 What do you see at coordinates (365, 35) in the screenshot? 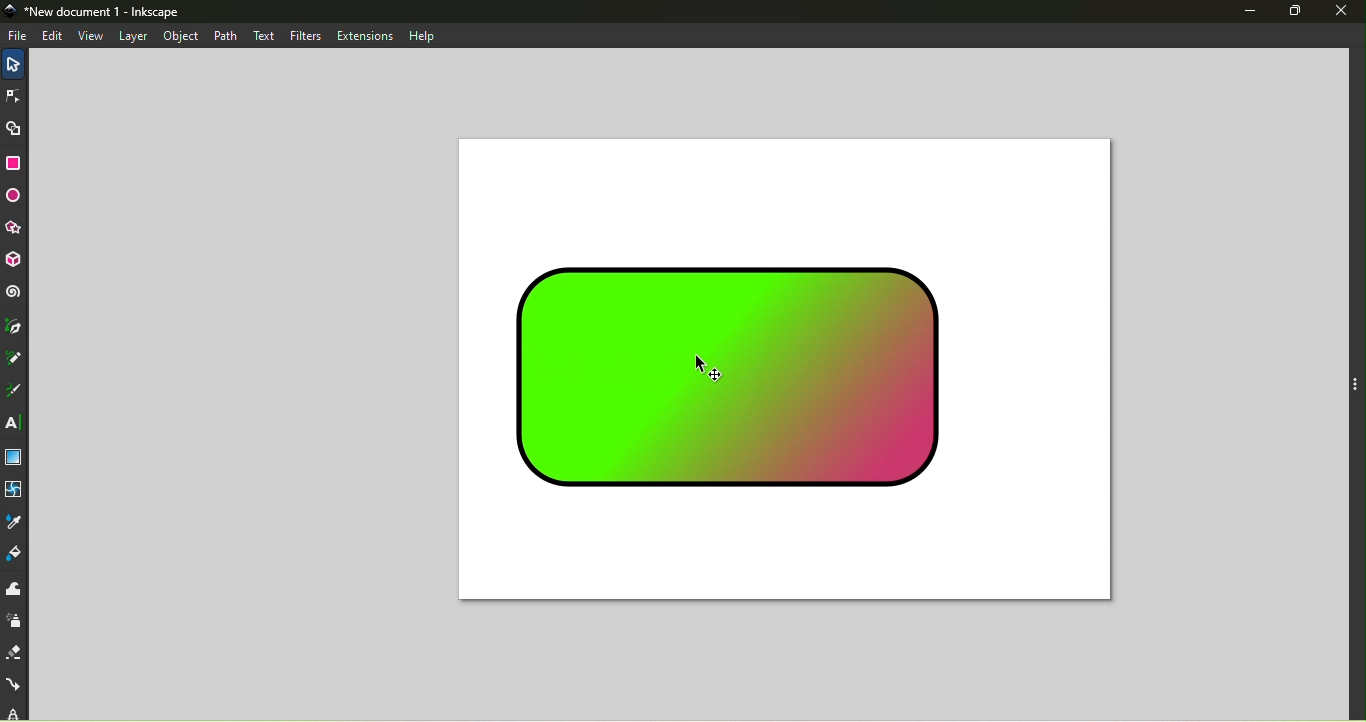
I see `Extensions` at bounding box center [365, 35].